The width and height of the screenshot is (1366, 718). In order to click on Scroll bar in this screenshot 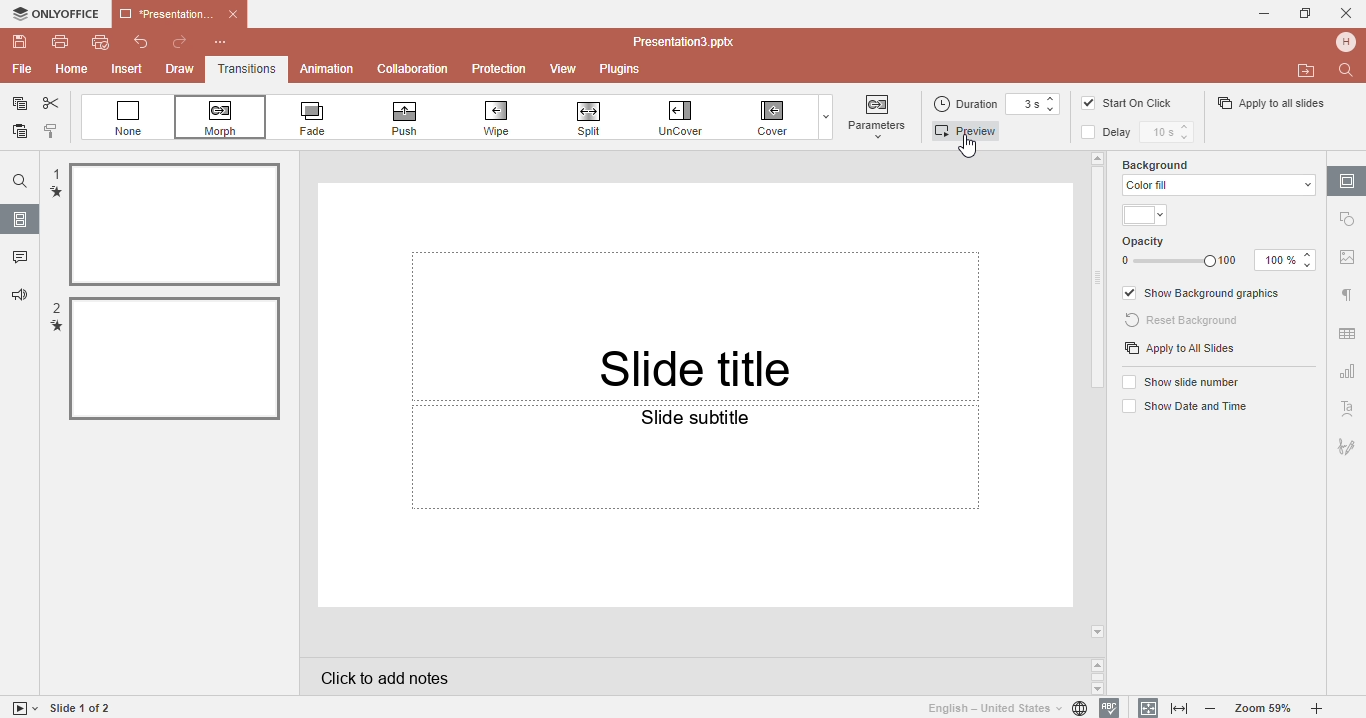, I will do `click(1099, 281)`.